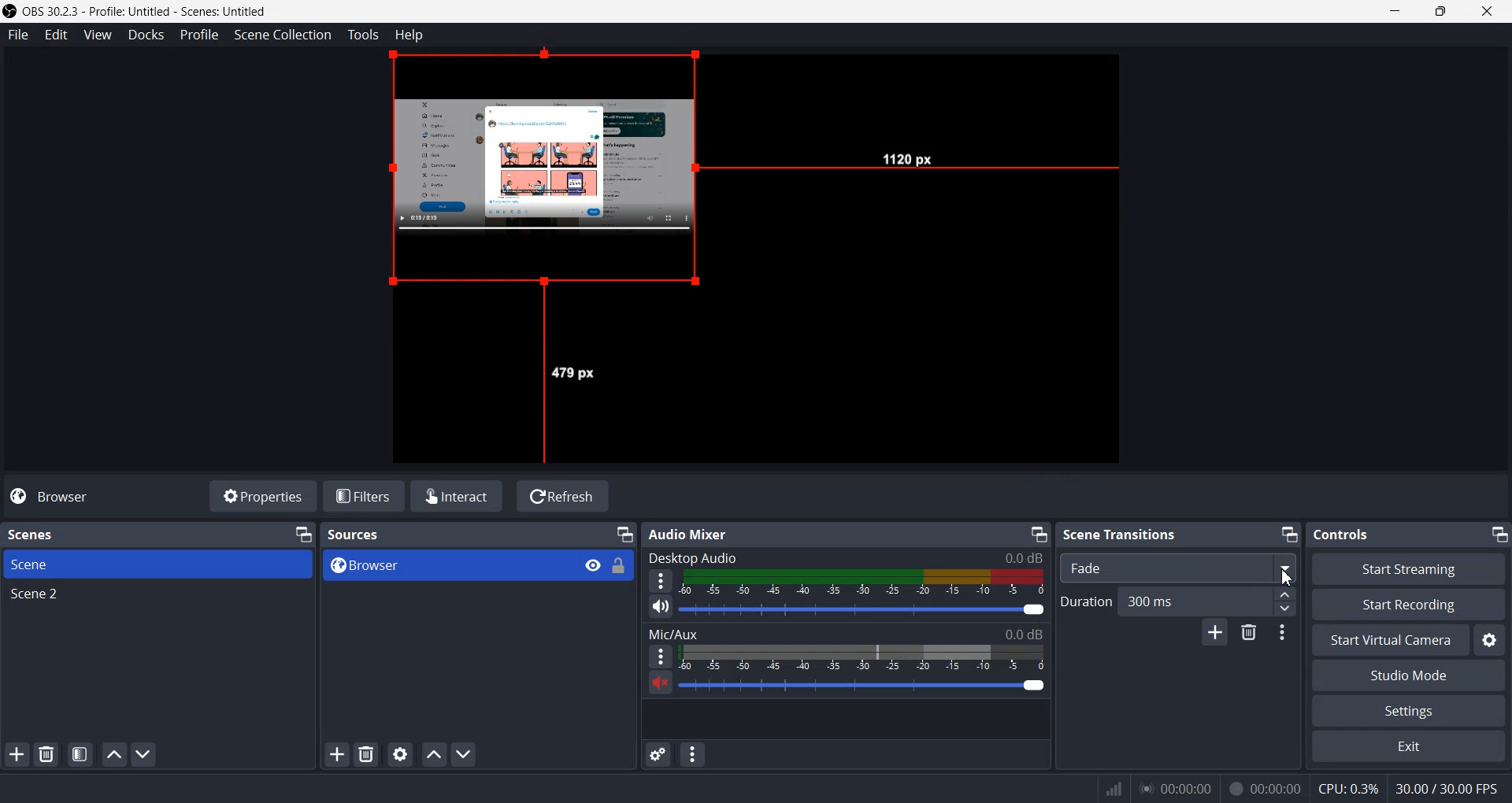 This screenshot has height=803, width=1512. Describe the element at coordinates (1177, 566) in the screenshot. I see `Fade` at that location.